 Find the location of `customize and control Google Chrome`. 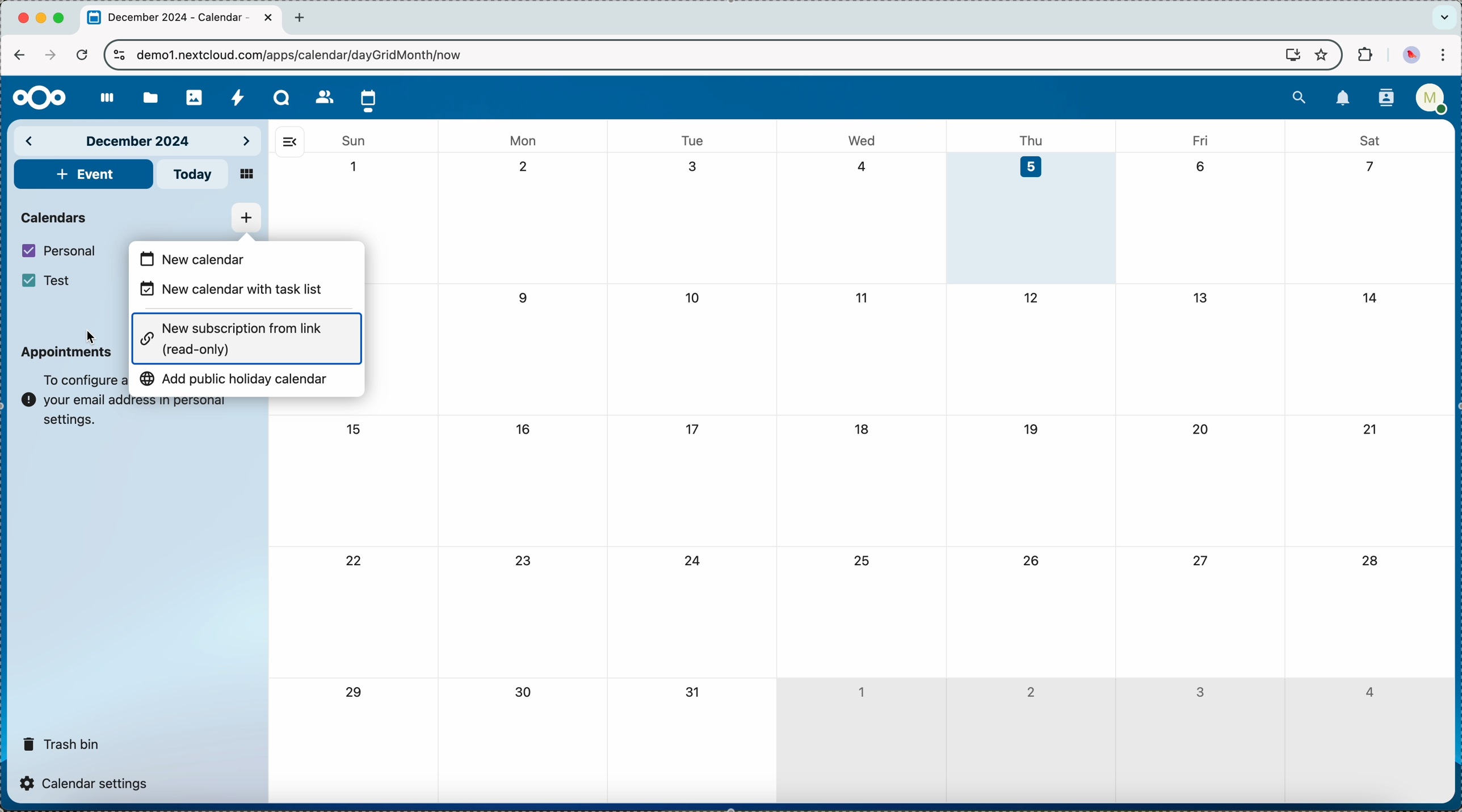

customize and control Google Chrome is located at coordinates (1447, 56).